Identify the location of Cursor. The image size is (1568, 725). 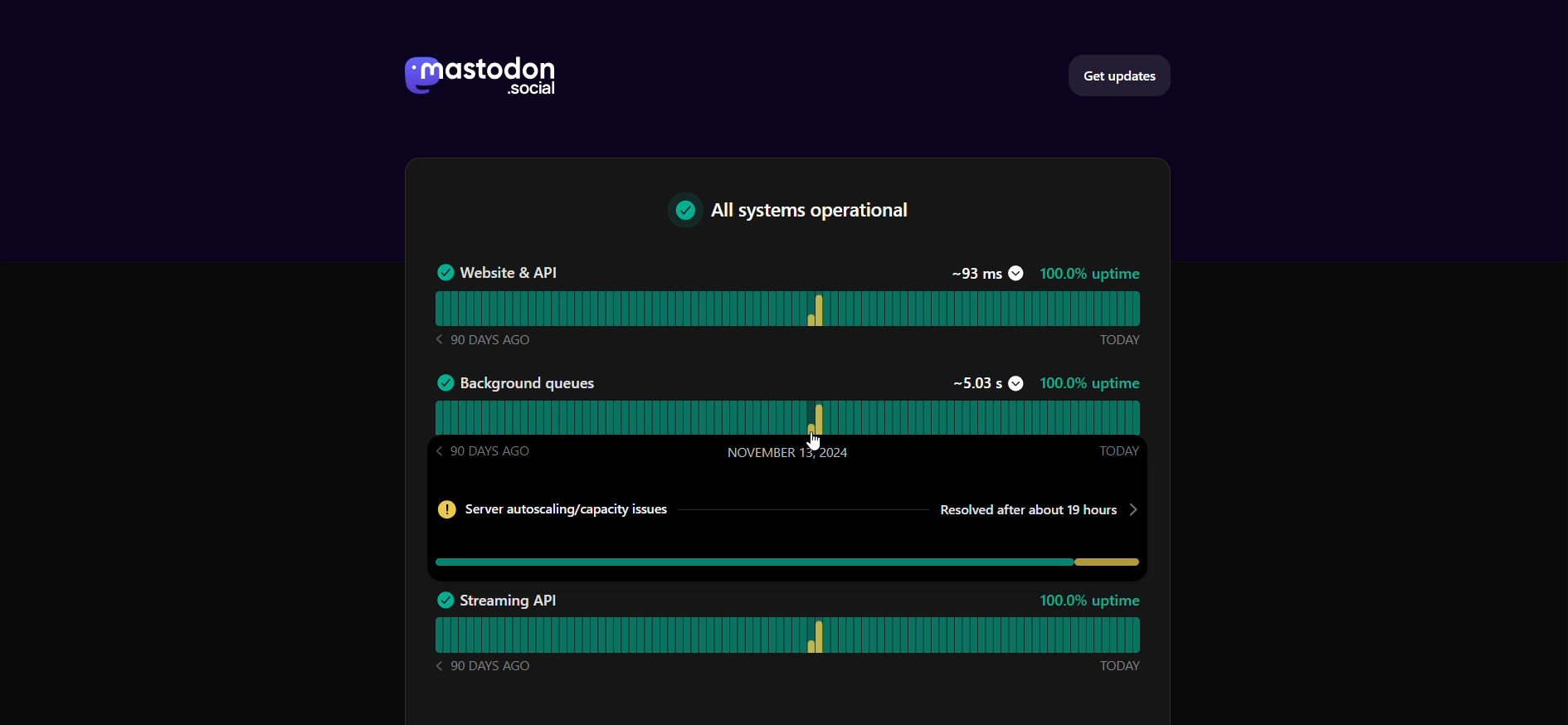
(815, 440).